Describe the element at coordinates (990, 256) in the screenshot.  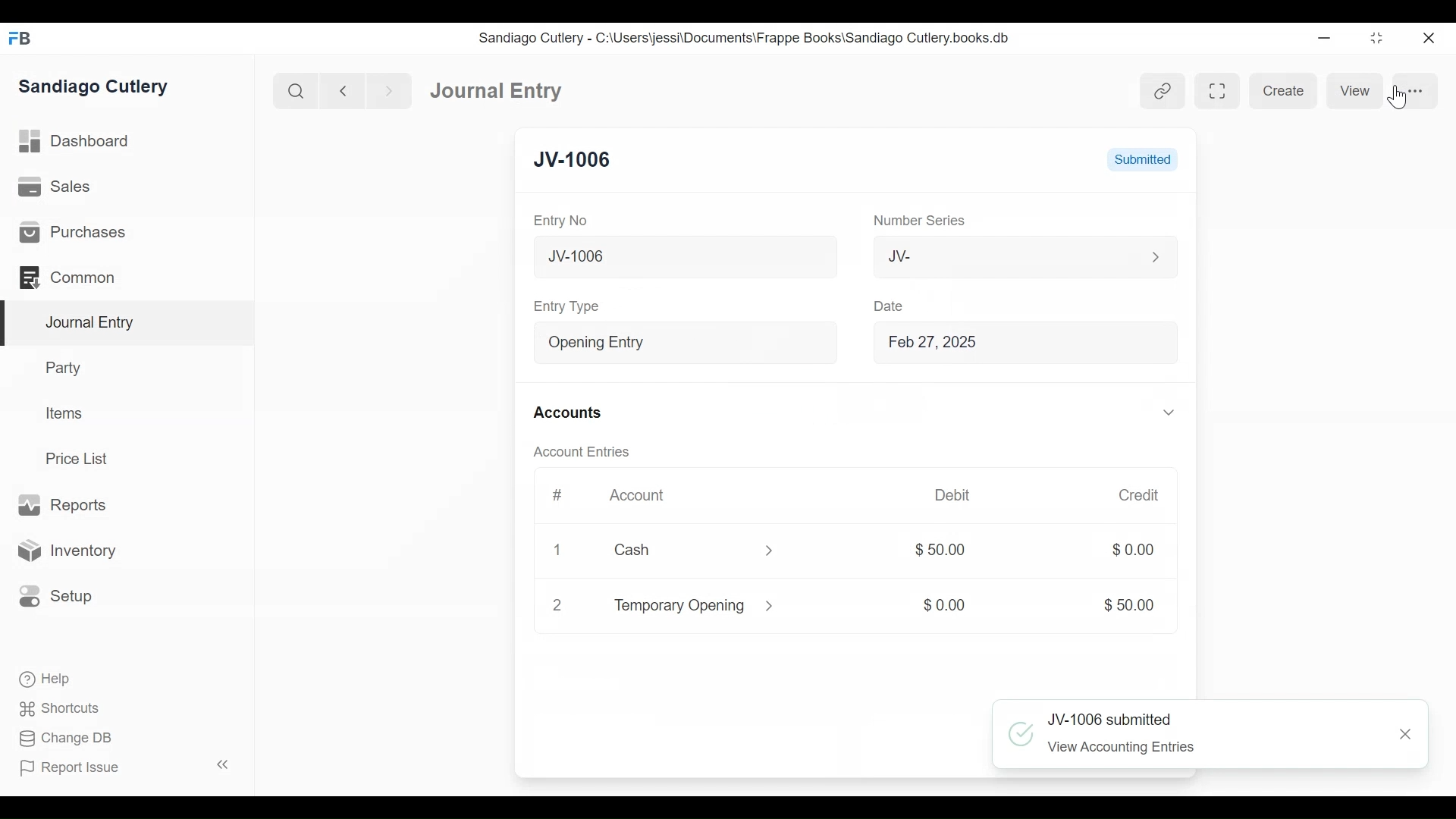
I see `JV-` at that location.